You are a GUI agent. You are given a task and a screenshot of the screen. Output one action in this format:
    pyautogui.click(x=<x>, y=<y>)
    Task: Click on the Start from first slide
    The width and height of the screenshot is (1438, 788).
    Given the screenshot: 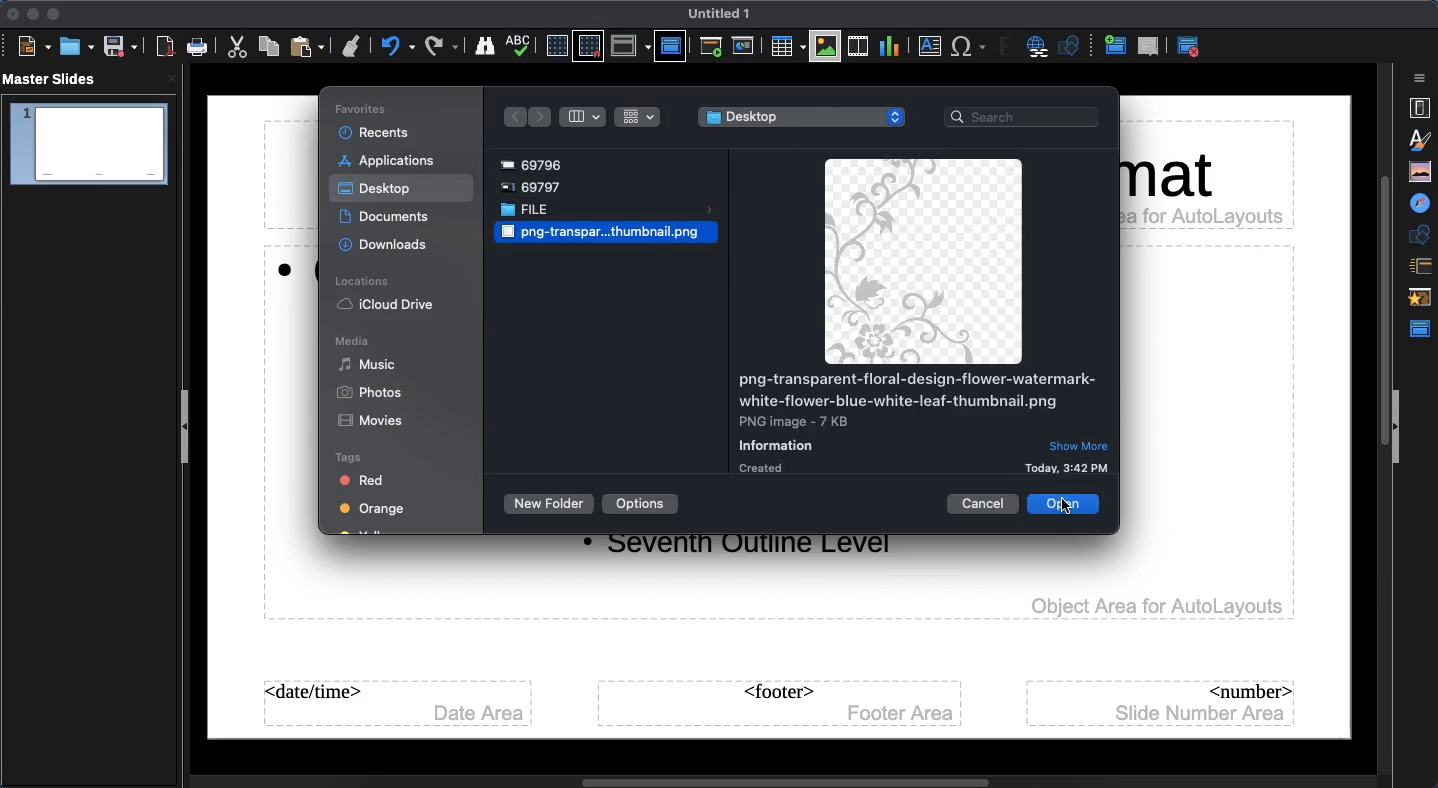 What is the action you would take?
    pyautogui.click(x=713, y=49)
    